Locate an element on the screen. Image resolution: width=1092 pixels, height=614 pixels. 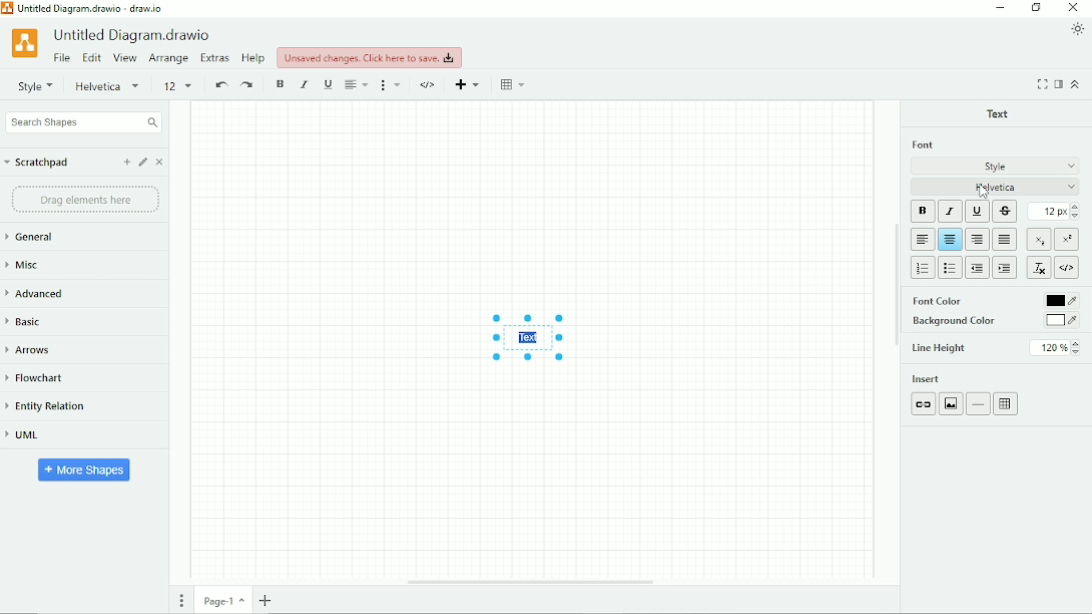
Table is located at coordinates (512, 84).